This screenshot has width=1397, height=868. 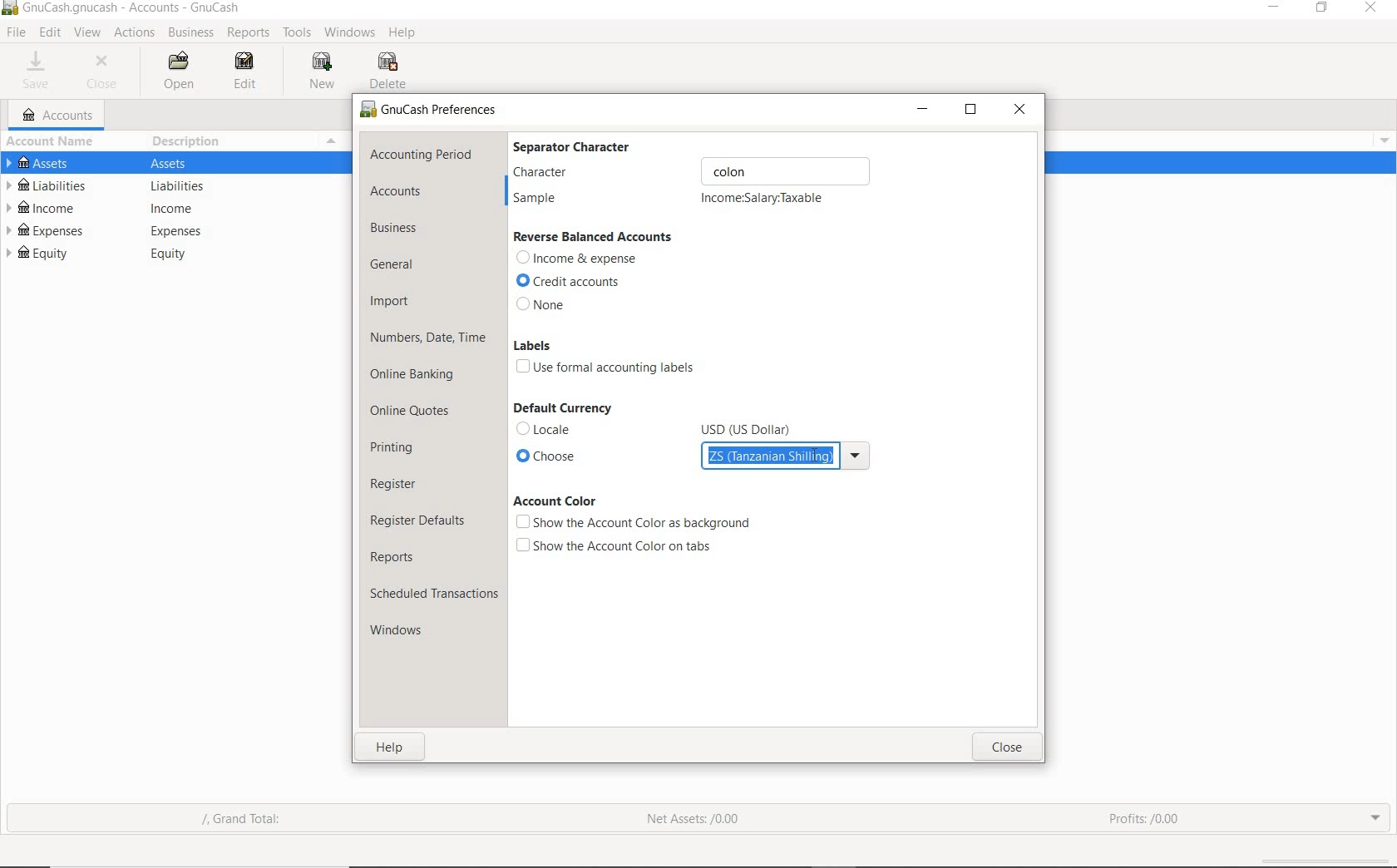 What do you see at coordinates (561, 408) in the screenshot?
I see `default currency` at bounding box center [561, 408].